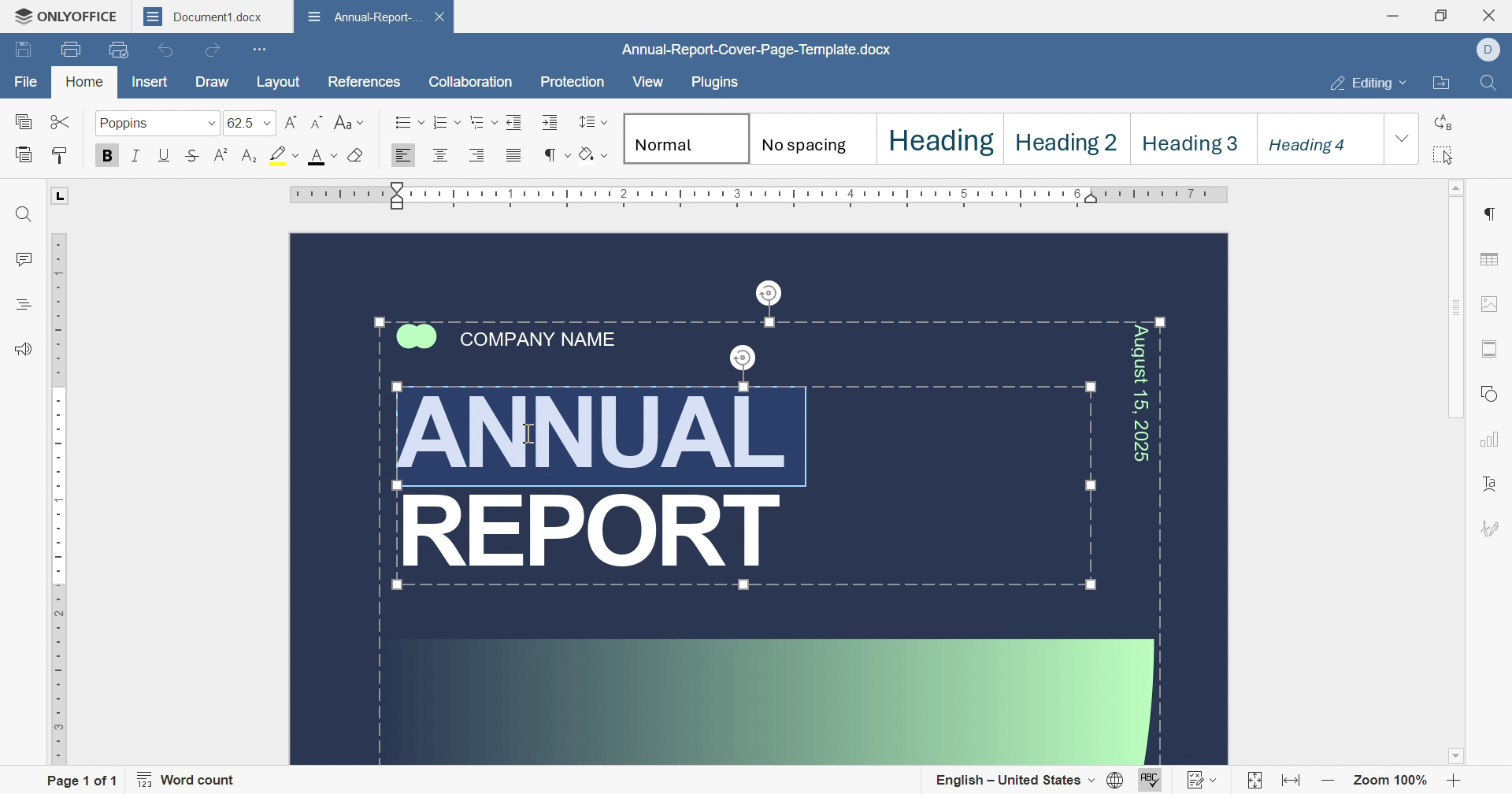 The width and height of the screenshot is (1512, 794). What do you see at coordinates (518, 157) in the screenshot?
I see `justified` at bounding box center [518, 157].